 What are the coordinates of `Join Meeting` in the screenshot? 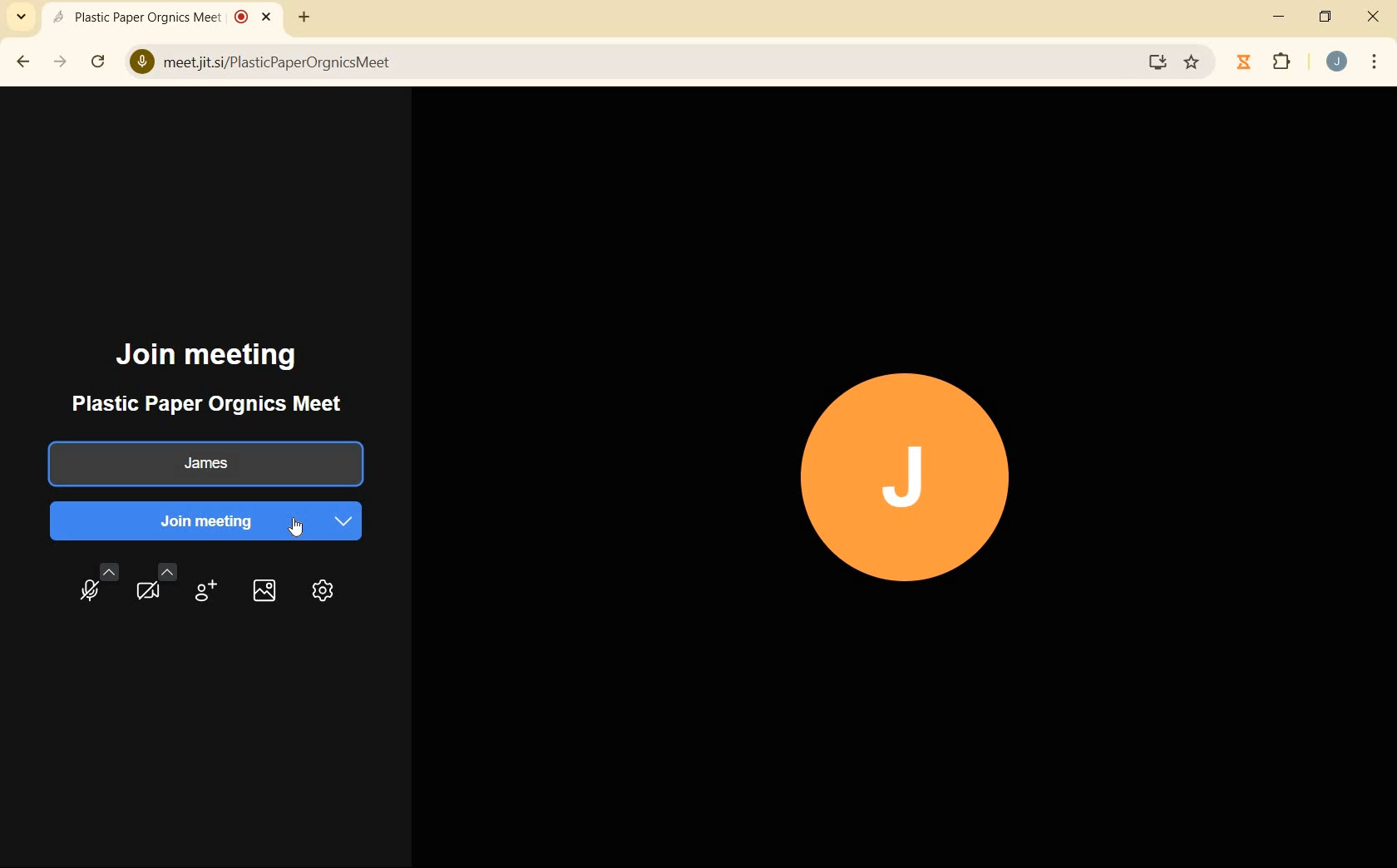 It's located at (208, 356).